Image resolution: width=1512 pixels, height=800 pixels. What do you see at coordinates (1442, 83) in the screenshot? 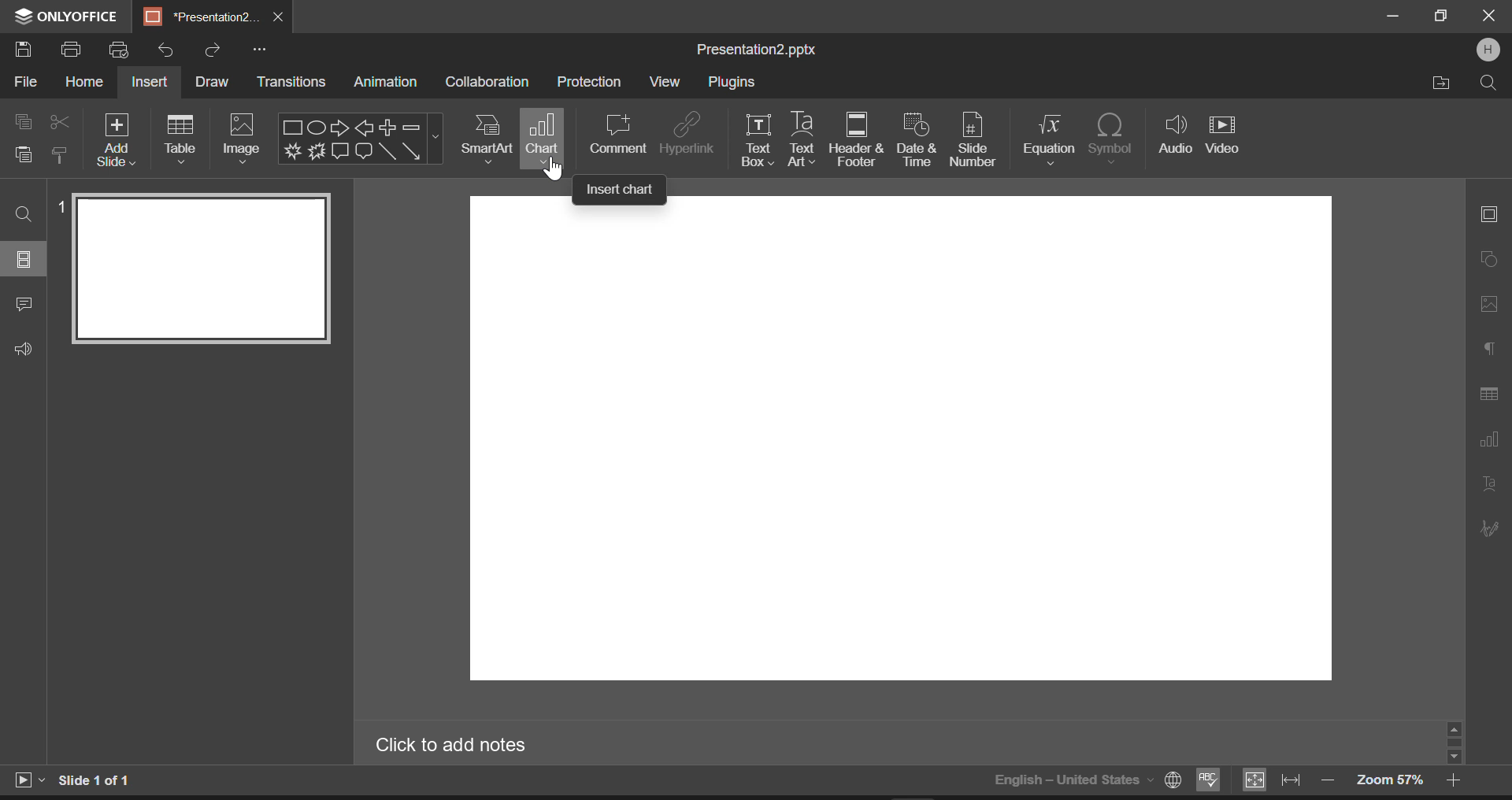
I see `Open file Location` at bounding box center [1442, 83].